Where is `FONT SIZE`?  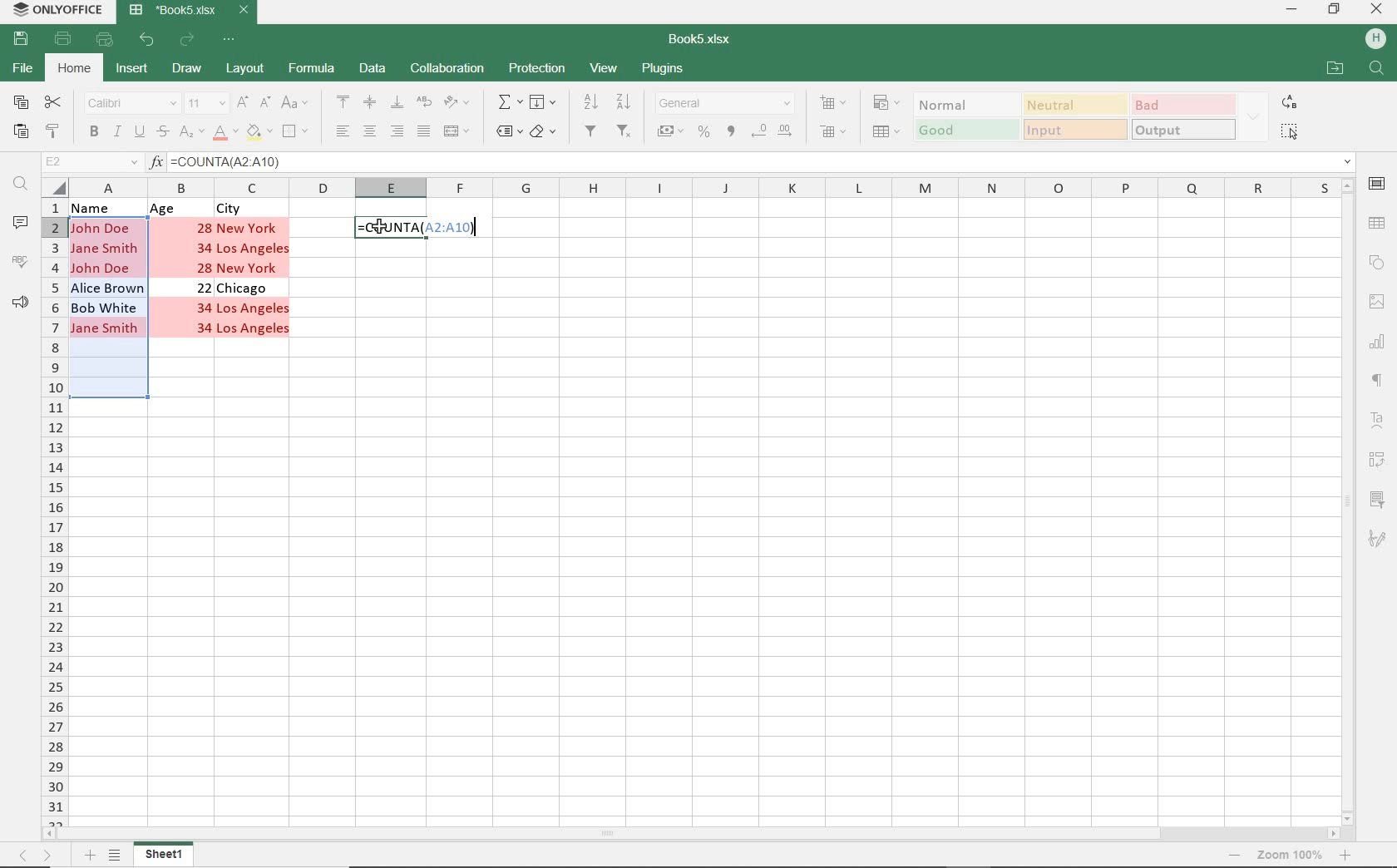
FONT SIZE is located at coordinates (206, 104).